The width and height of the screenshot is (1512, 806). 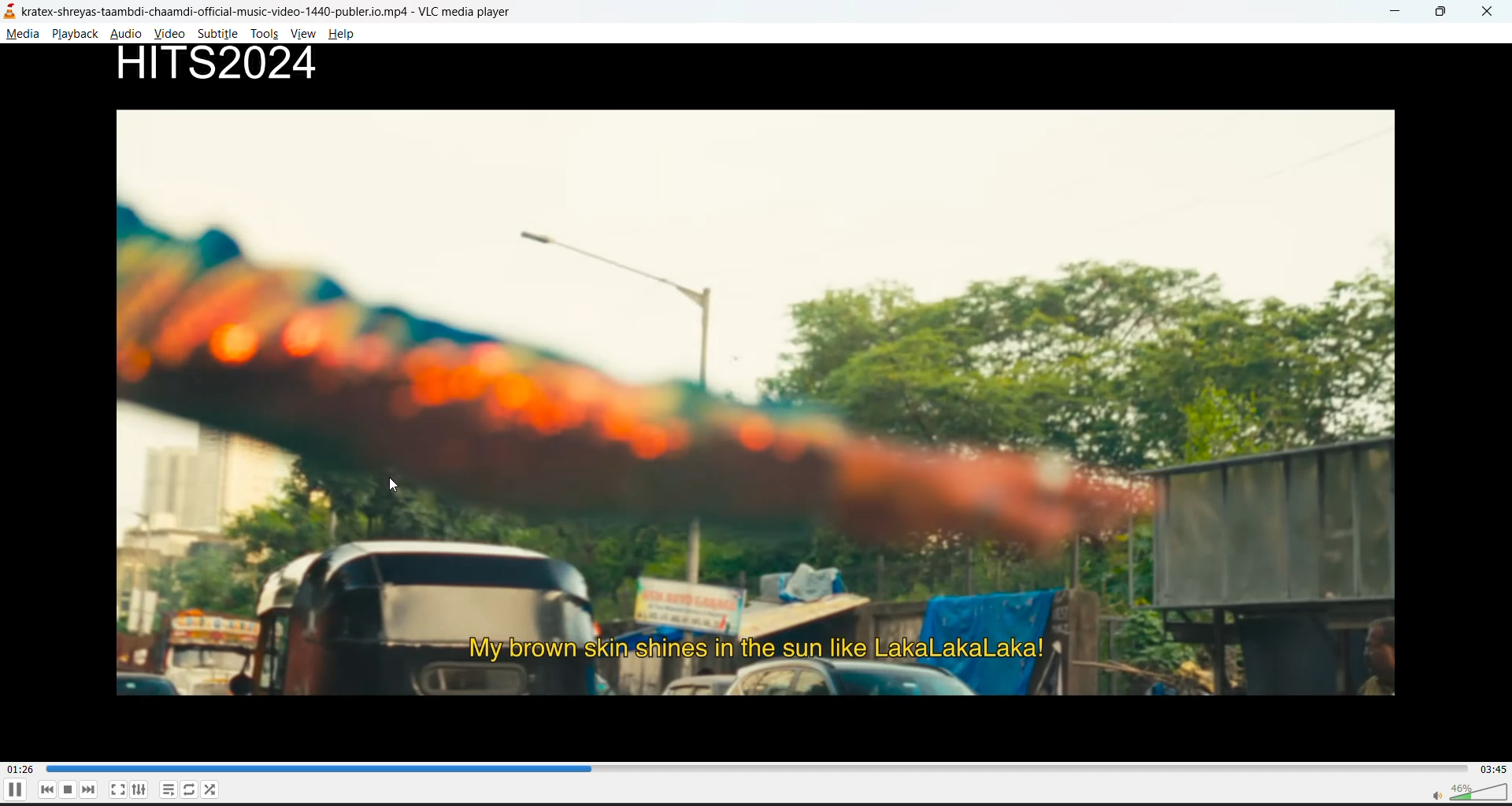 What do you see at coordinates (262, 35) in the screenshot?
I see `tools` at bounding box center [262, 35].